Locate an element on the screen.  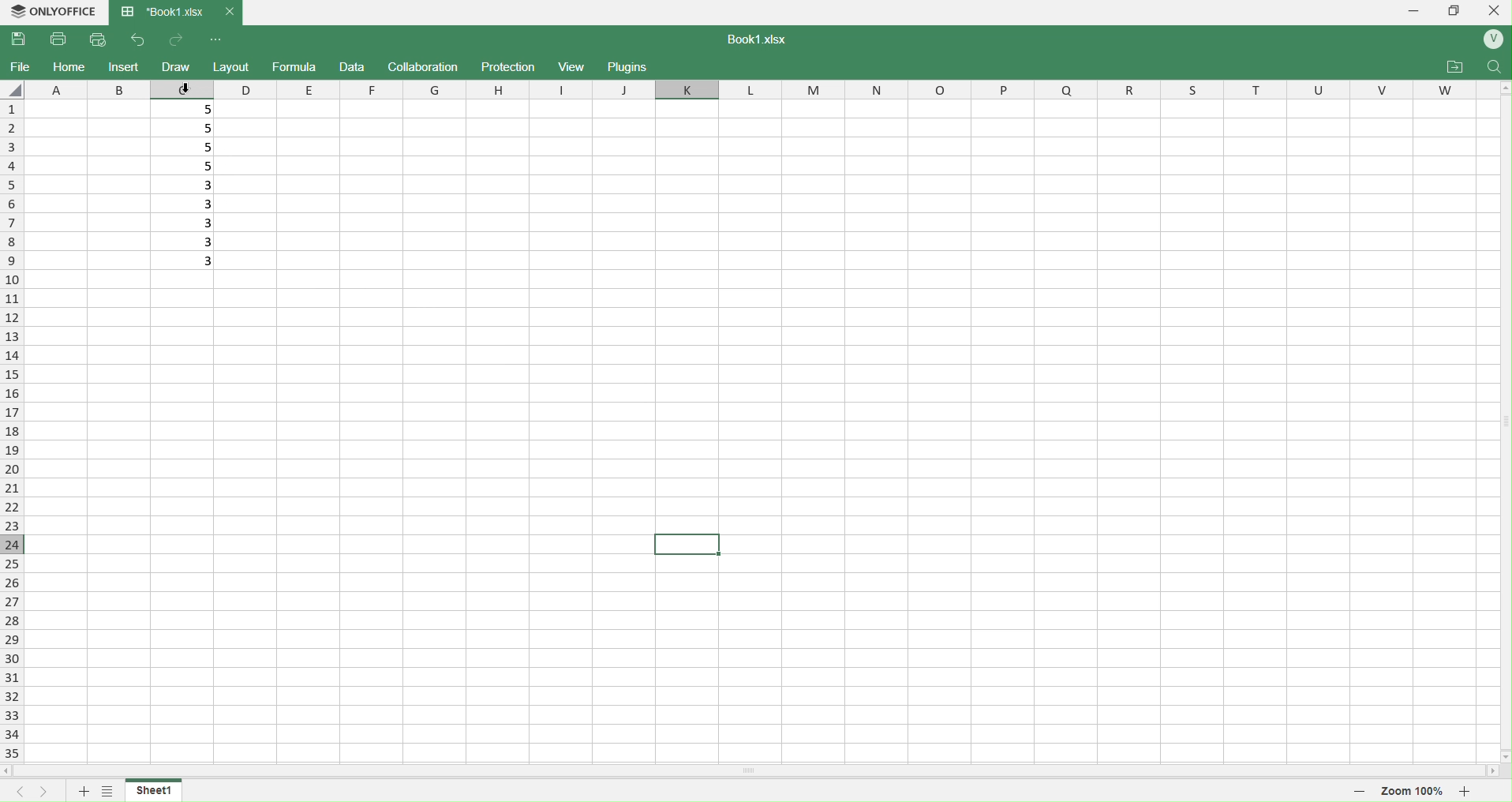
previous sheet is located at coordinates (23, 793).